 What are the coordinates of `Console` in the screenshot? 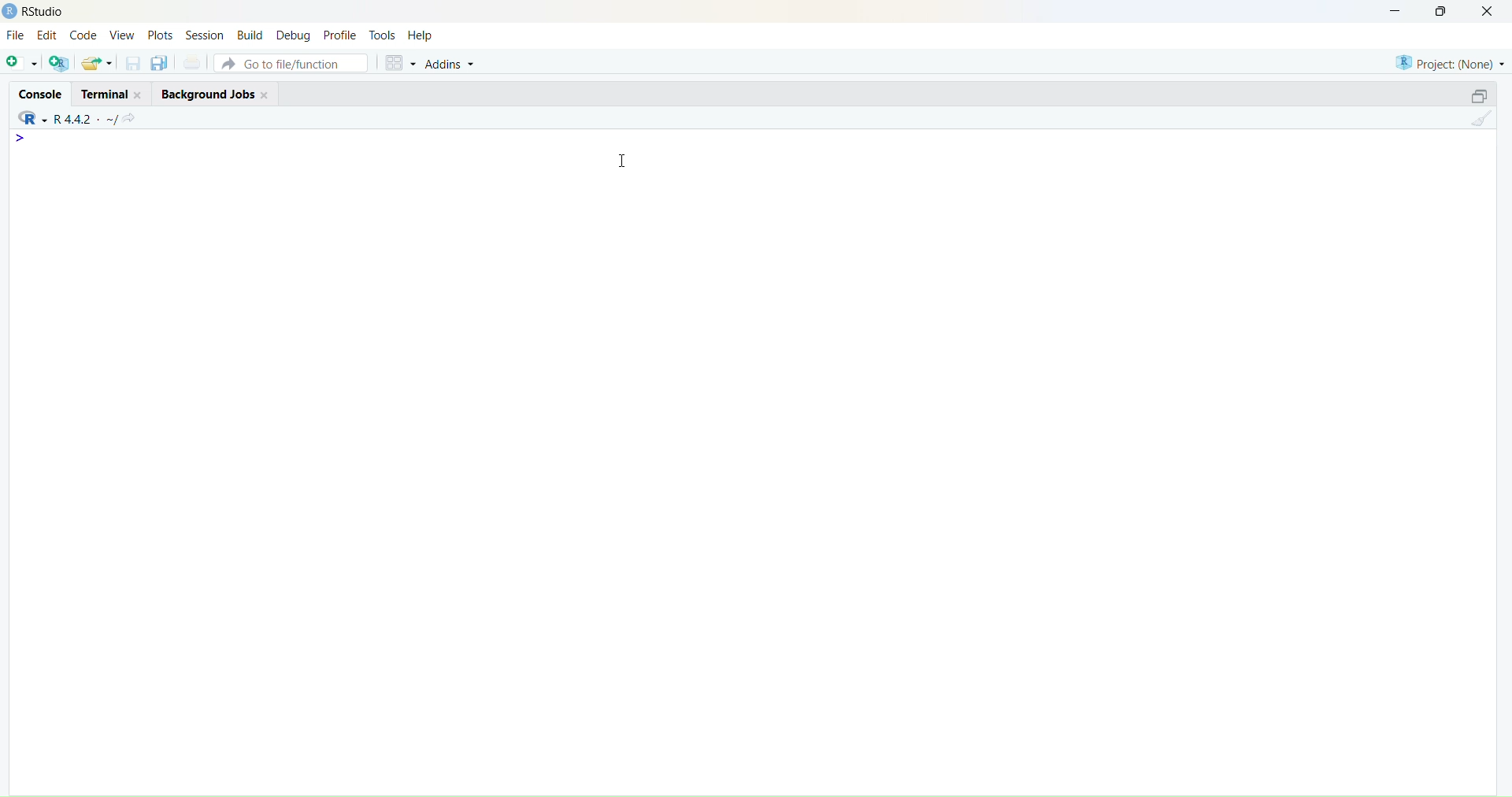 It's located at (40, 94).